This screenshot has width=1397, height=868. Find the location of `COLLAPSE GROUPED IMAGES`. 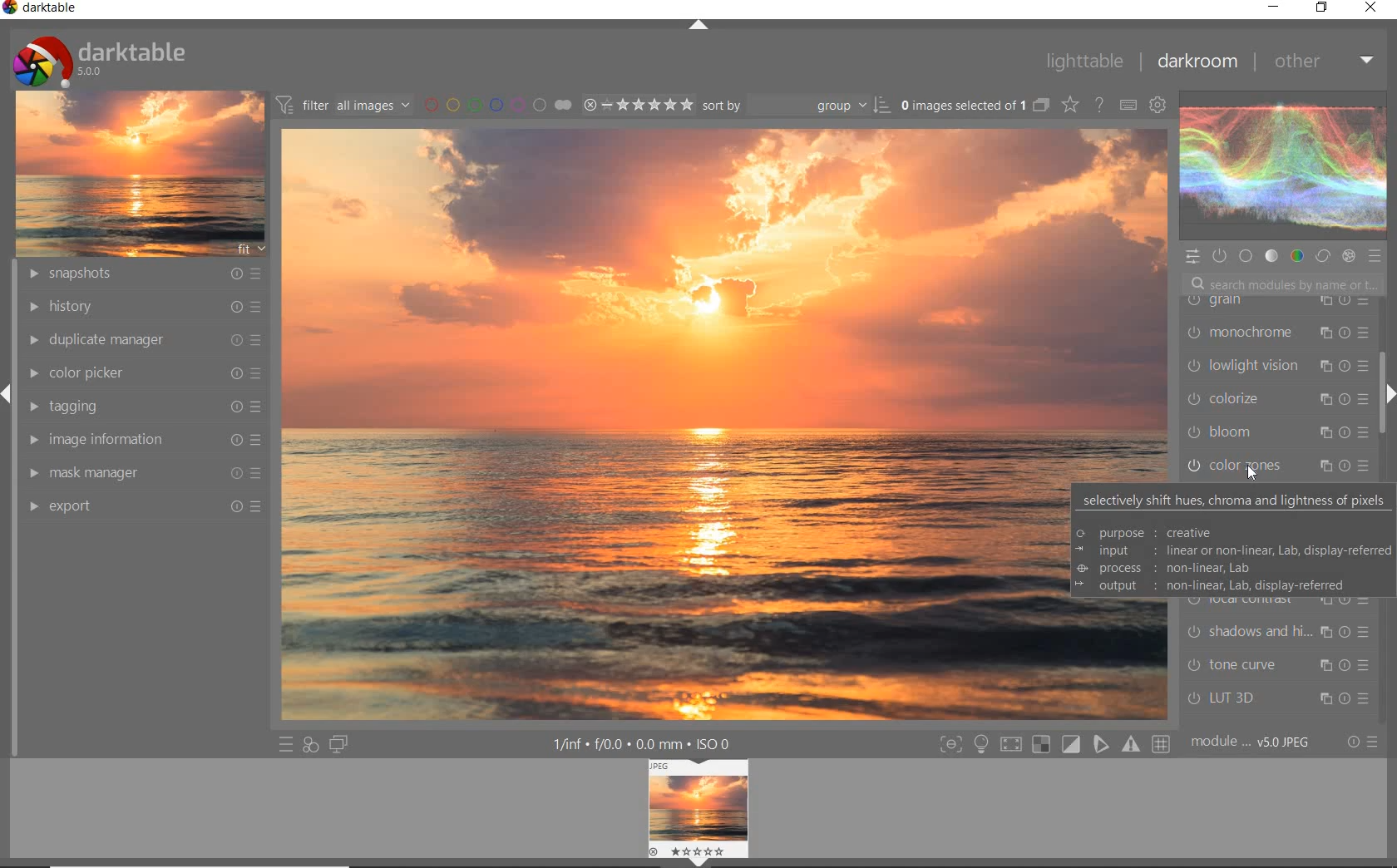

COLLAPSE GROUPED IMAGES is located at coordinates (1040, 104).